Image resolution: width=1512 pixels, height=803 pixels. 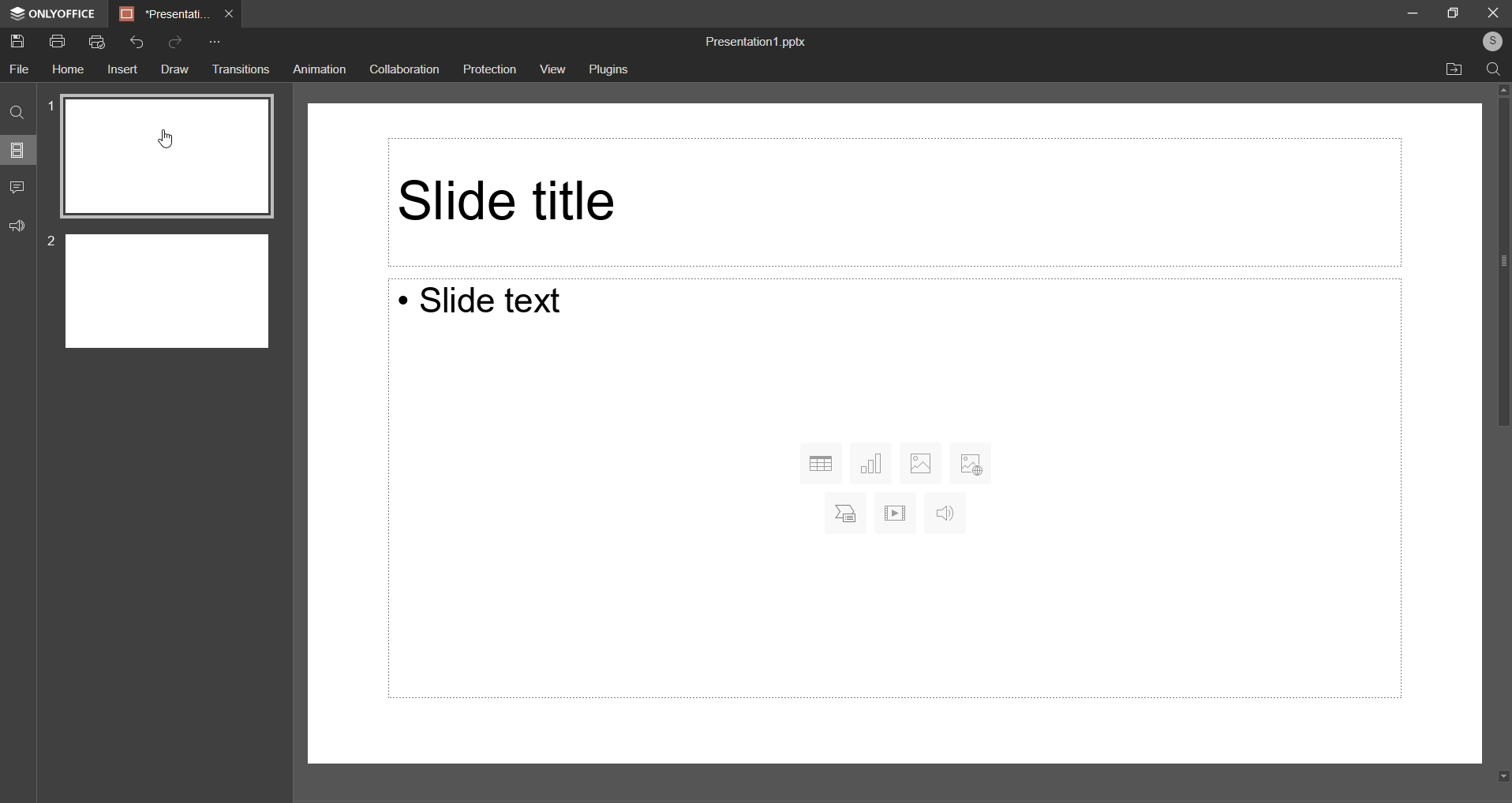 What do you see at coordinates (240, 69) in the screenshot?
I see `Transitions` at bounding box center [240, 69].